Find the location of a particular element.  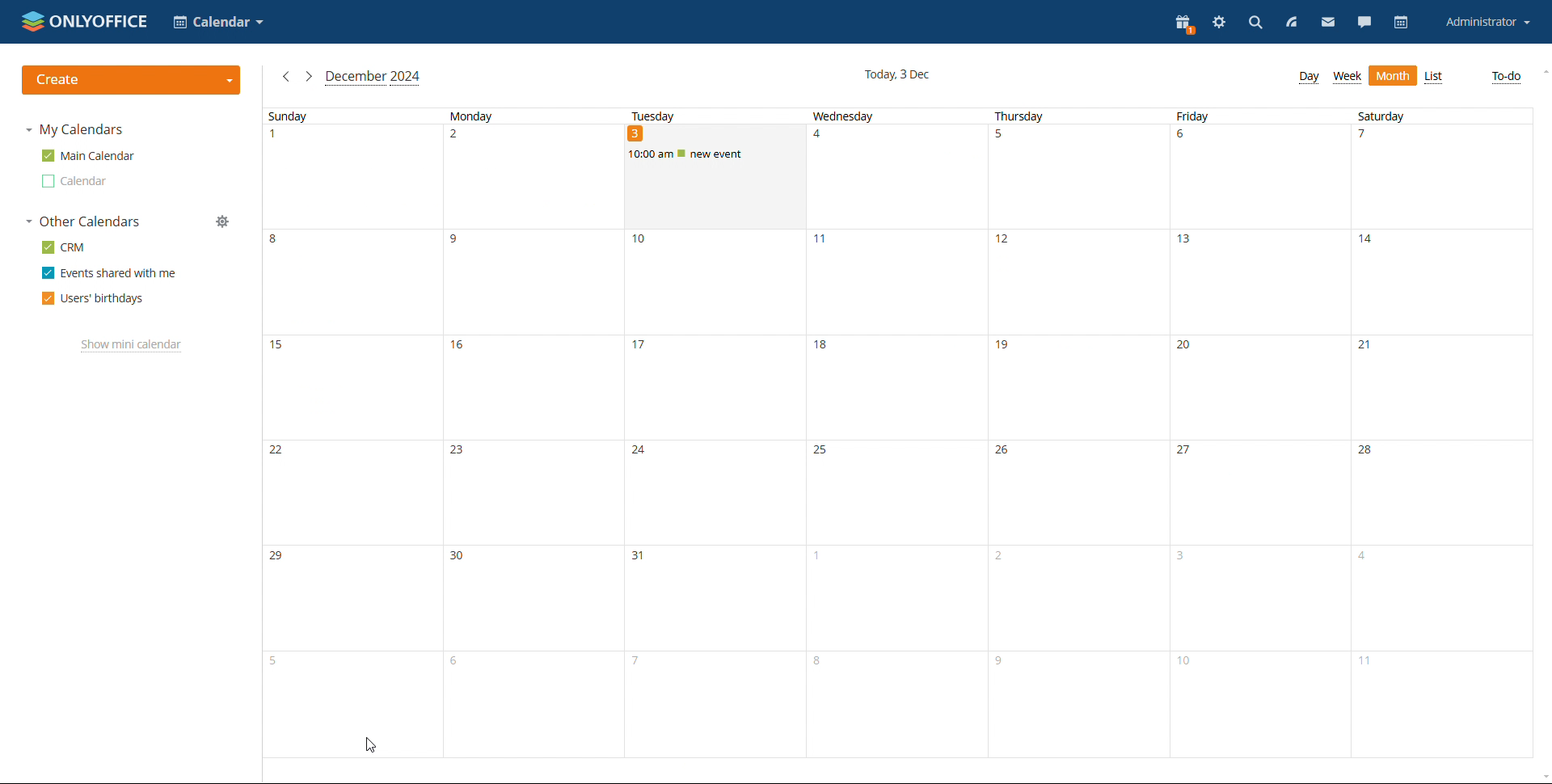

scroll up is located at coordinates (1542, 72).